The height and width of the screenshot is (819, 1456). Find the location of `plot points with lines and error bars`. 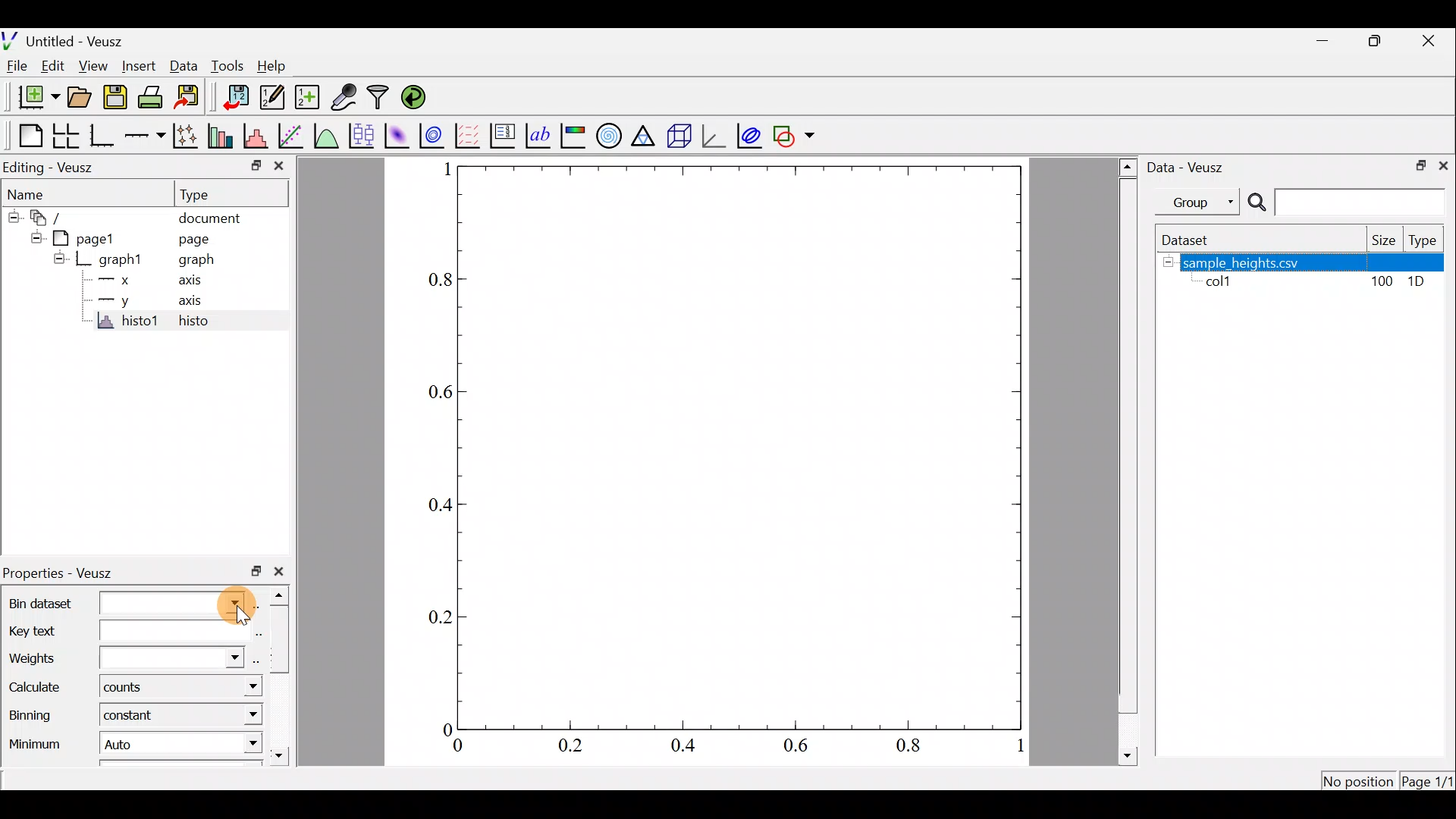

plot points with lines and error bars is located at coordinates (185, 135).